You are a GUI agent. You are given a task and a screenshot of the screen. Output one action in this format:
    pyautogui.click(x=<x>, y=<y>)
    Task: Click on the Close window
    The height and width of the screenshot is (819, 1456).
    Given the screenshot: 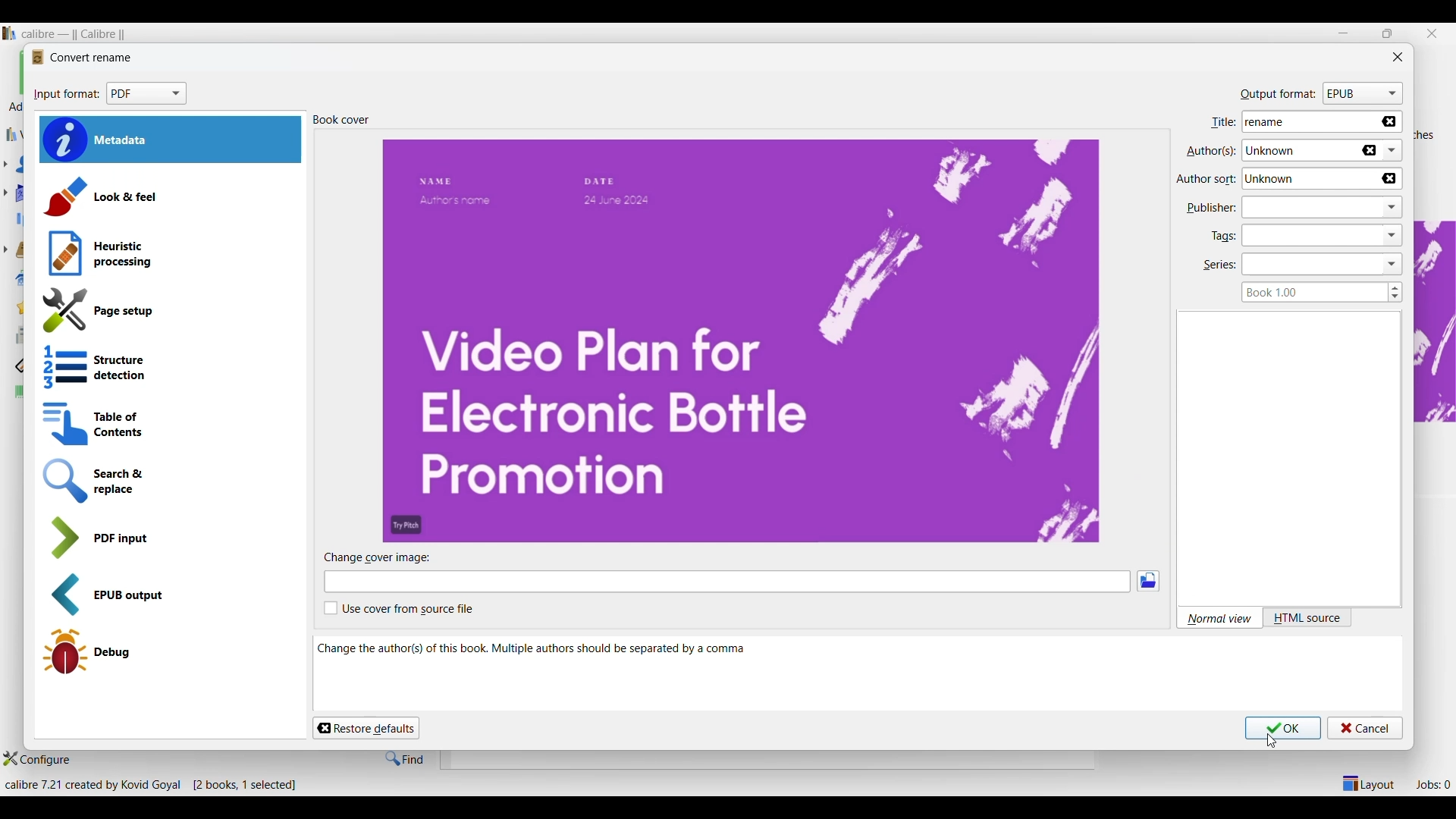 What is the action you would take?
    pyautogui.click(x=1398, y=57)
    